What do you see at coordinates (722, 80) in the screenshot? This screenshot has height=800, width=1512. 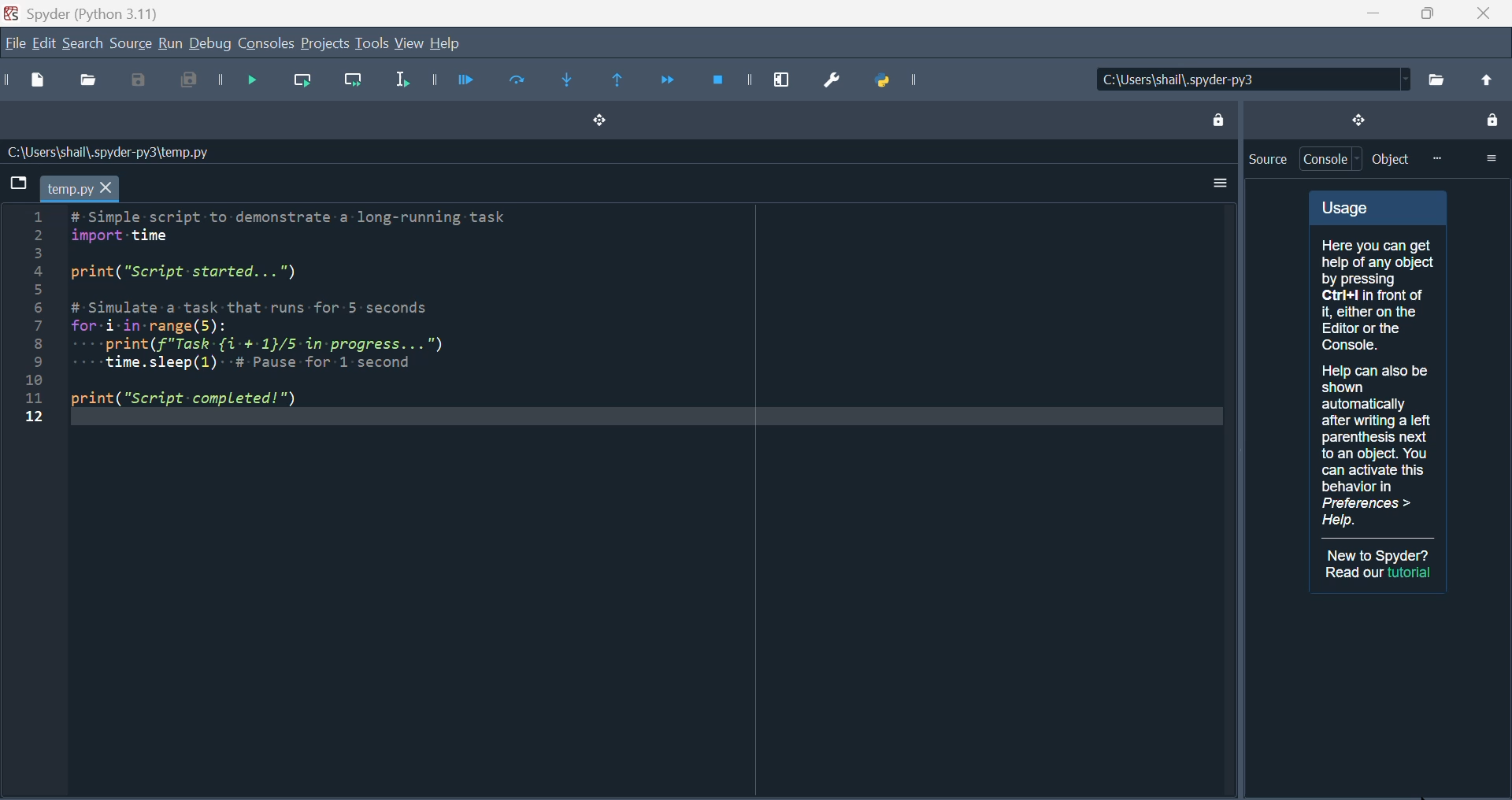 I see `Stop debugging` at bounding box center [722, 80].